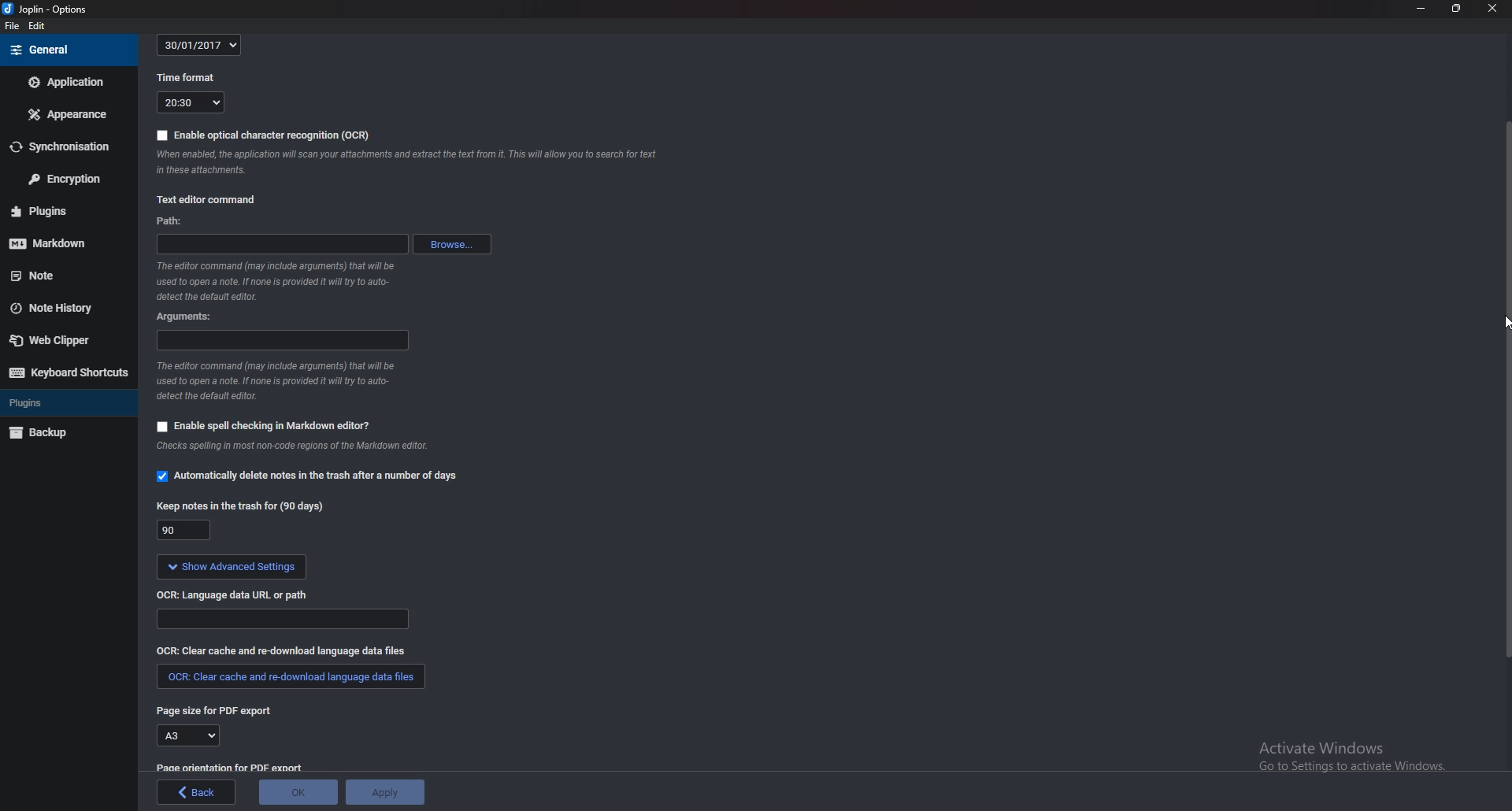 This screenshot has height=811, width=1512. What do you see at coordinates (190, 102) in the screenshot?
I see `20:30` at bounding box center [190, 102].